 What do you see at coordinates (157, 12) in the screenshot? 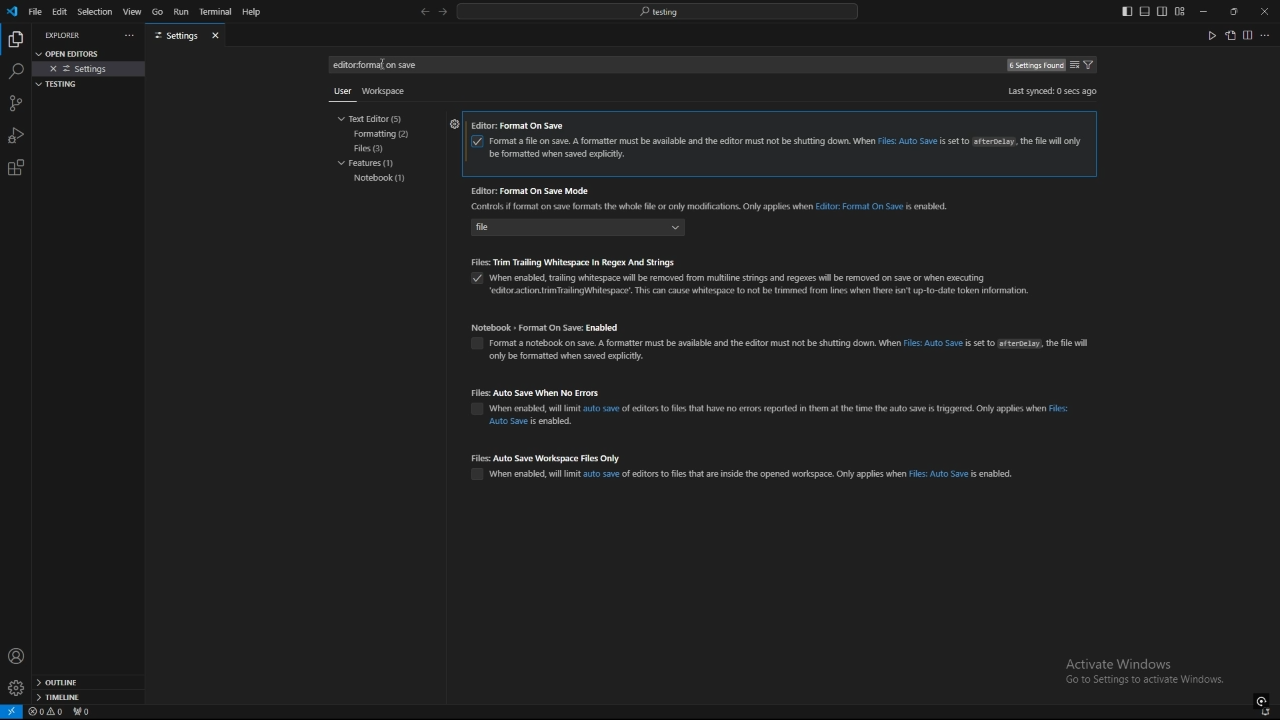
I see `go` at bounding box center [157, 12].